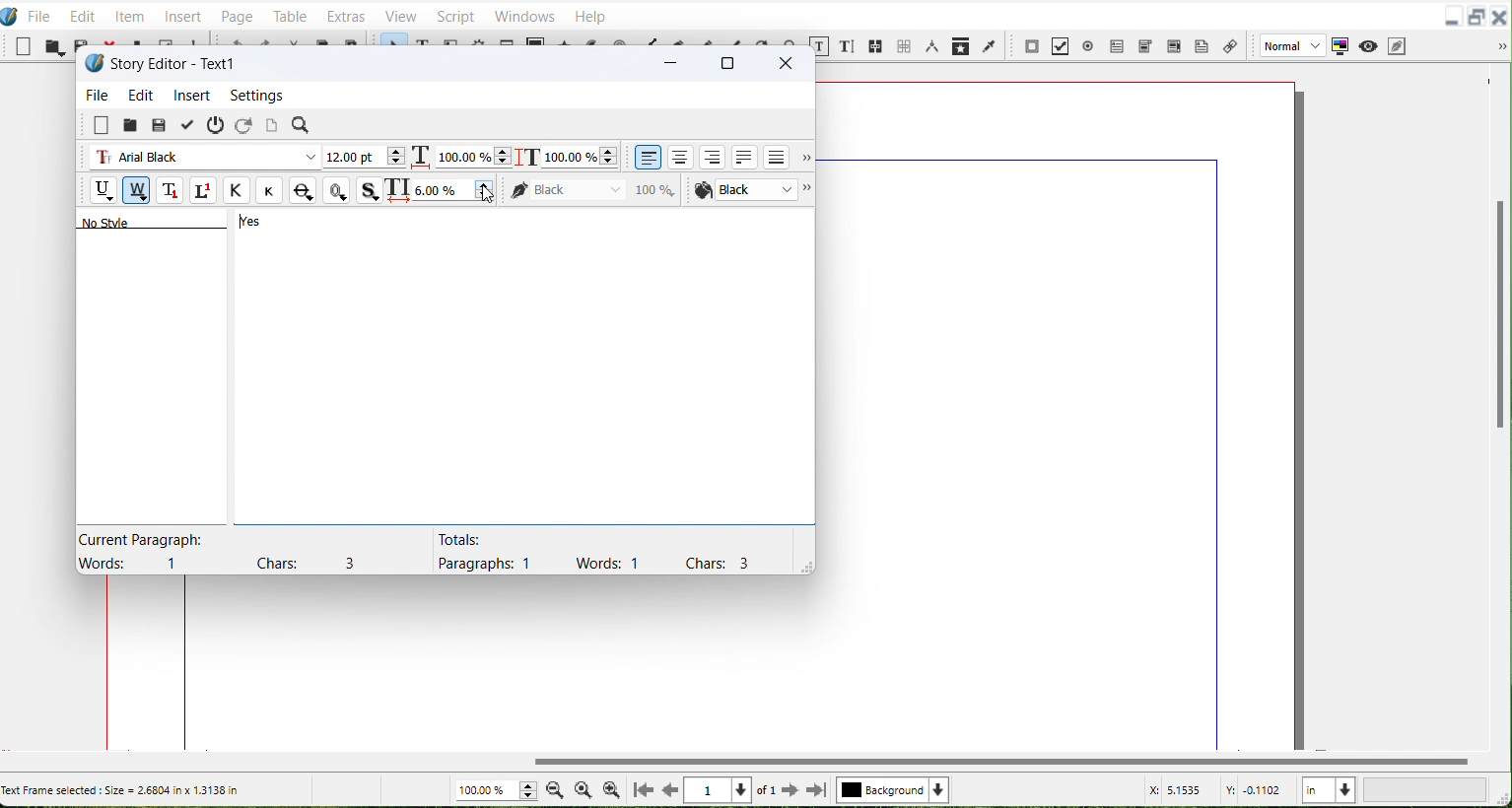  I want to click on top margin, so click(1018, 161).